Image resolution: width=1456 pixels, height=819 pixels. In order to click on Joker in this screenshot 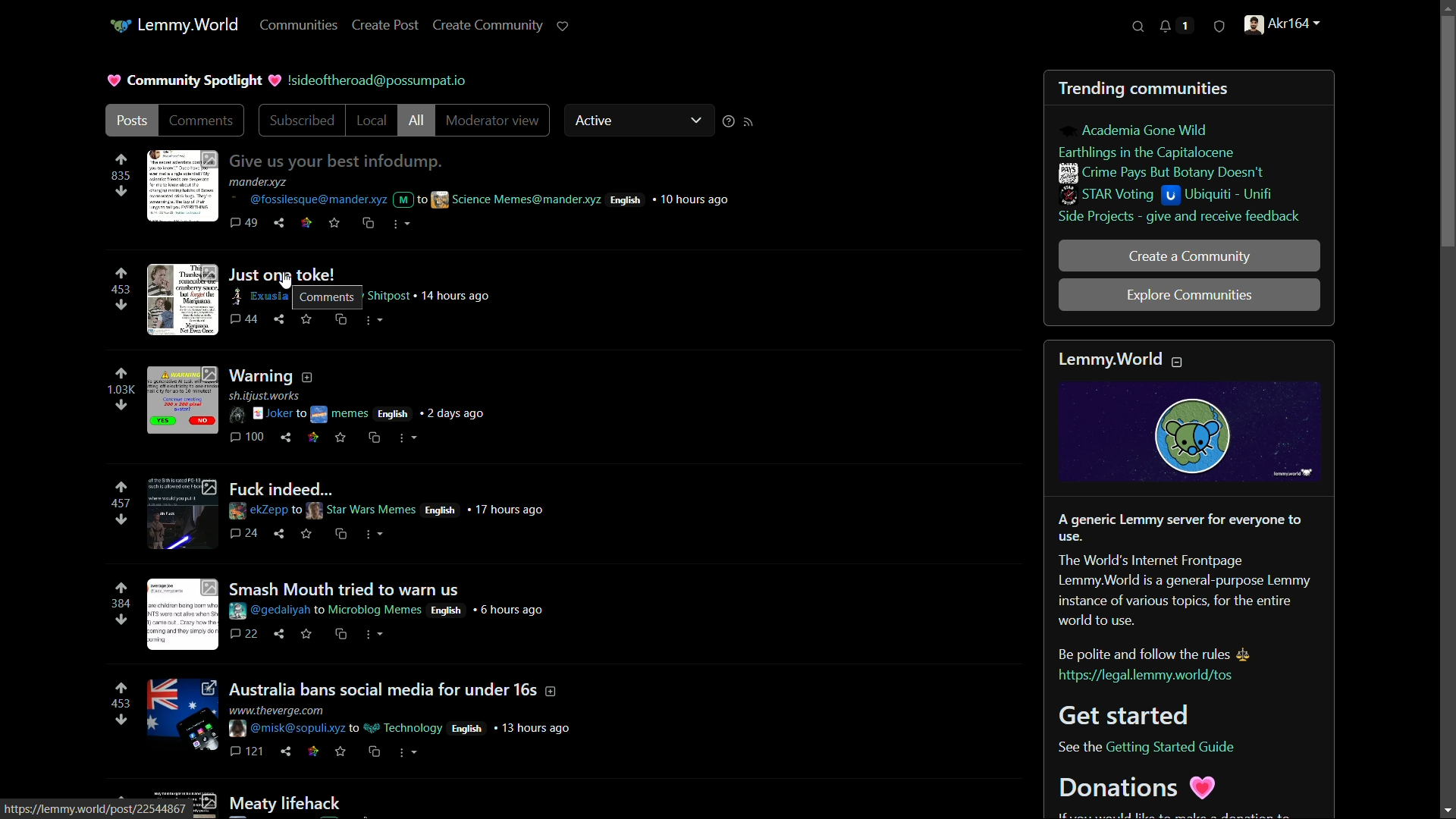, I will do `click(259, 415)`.